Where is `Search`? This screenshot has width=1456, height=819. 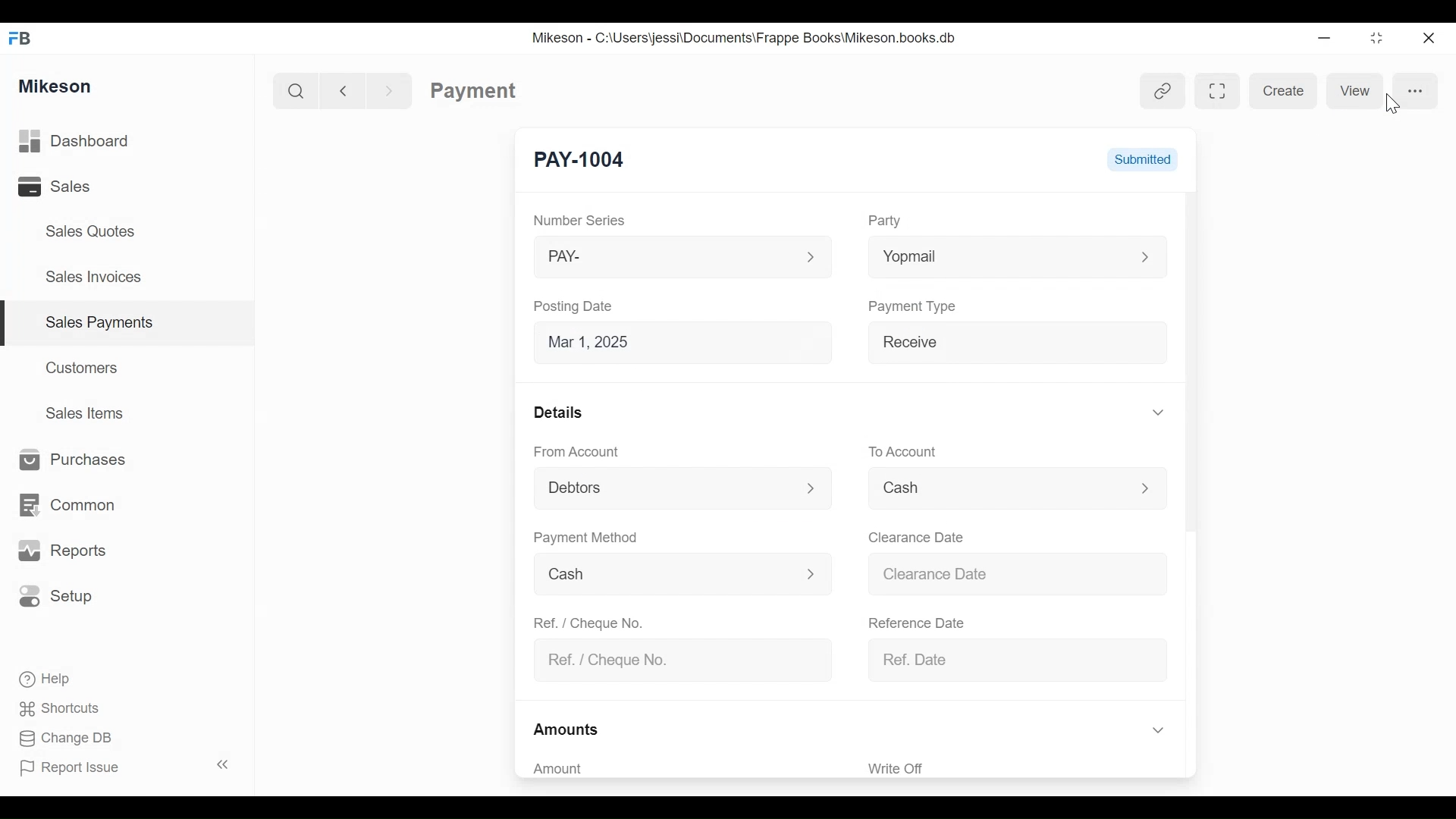 Search is located at coordinates (291, 89).